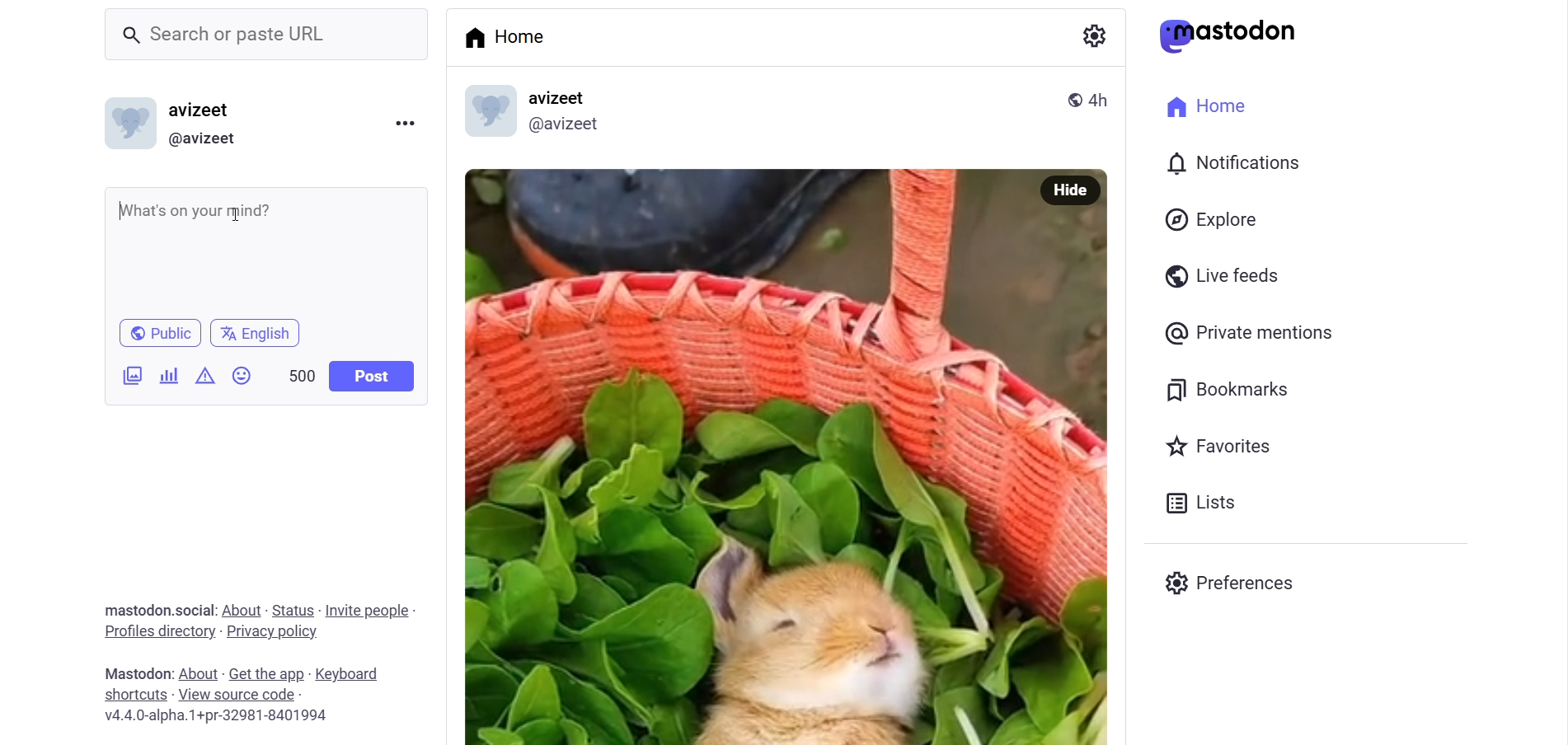 This screenshot has width=1568, height=745. Describe the element at coordinates (351, 671) in the screenshot. I see `keyboard` at that location.